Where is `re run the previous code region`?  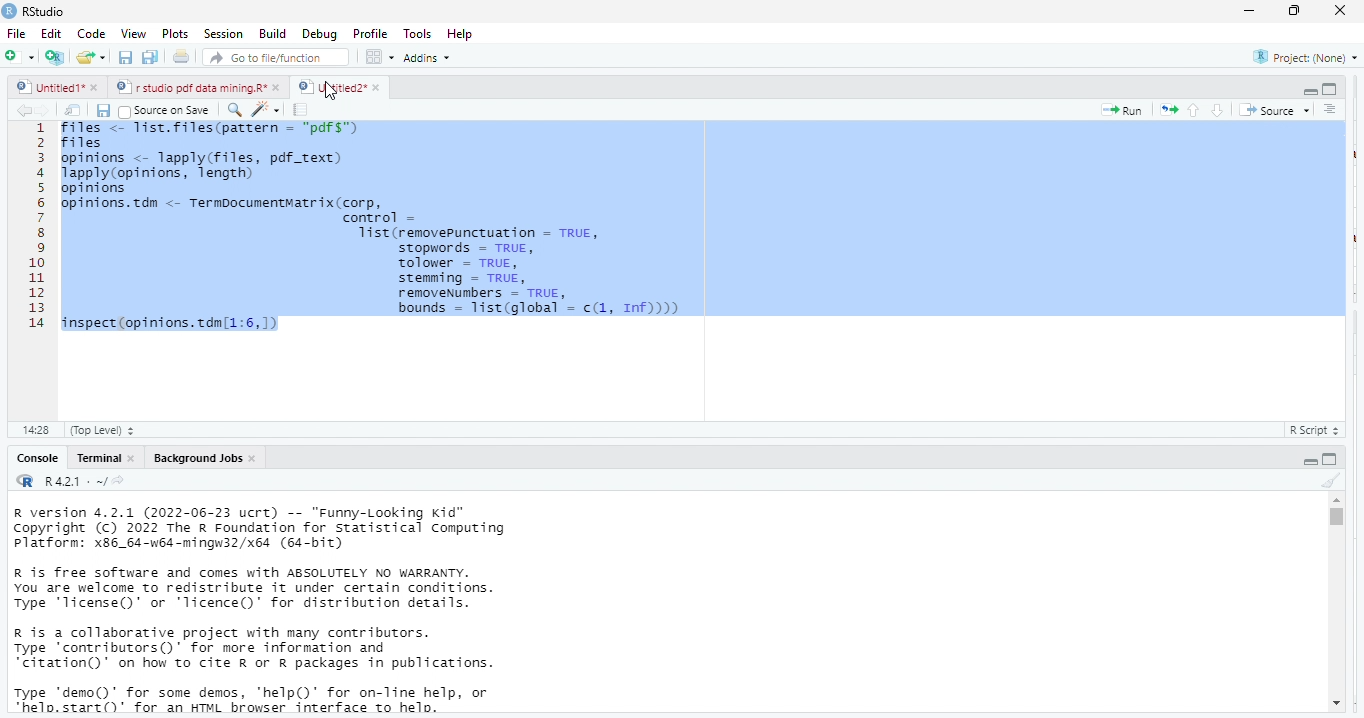
re run the previous code region is located at coordinates (1165, 109).